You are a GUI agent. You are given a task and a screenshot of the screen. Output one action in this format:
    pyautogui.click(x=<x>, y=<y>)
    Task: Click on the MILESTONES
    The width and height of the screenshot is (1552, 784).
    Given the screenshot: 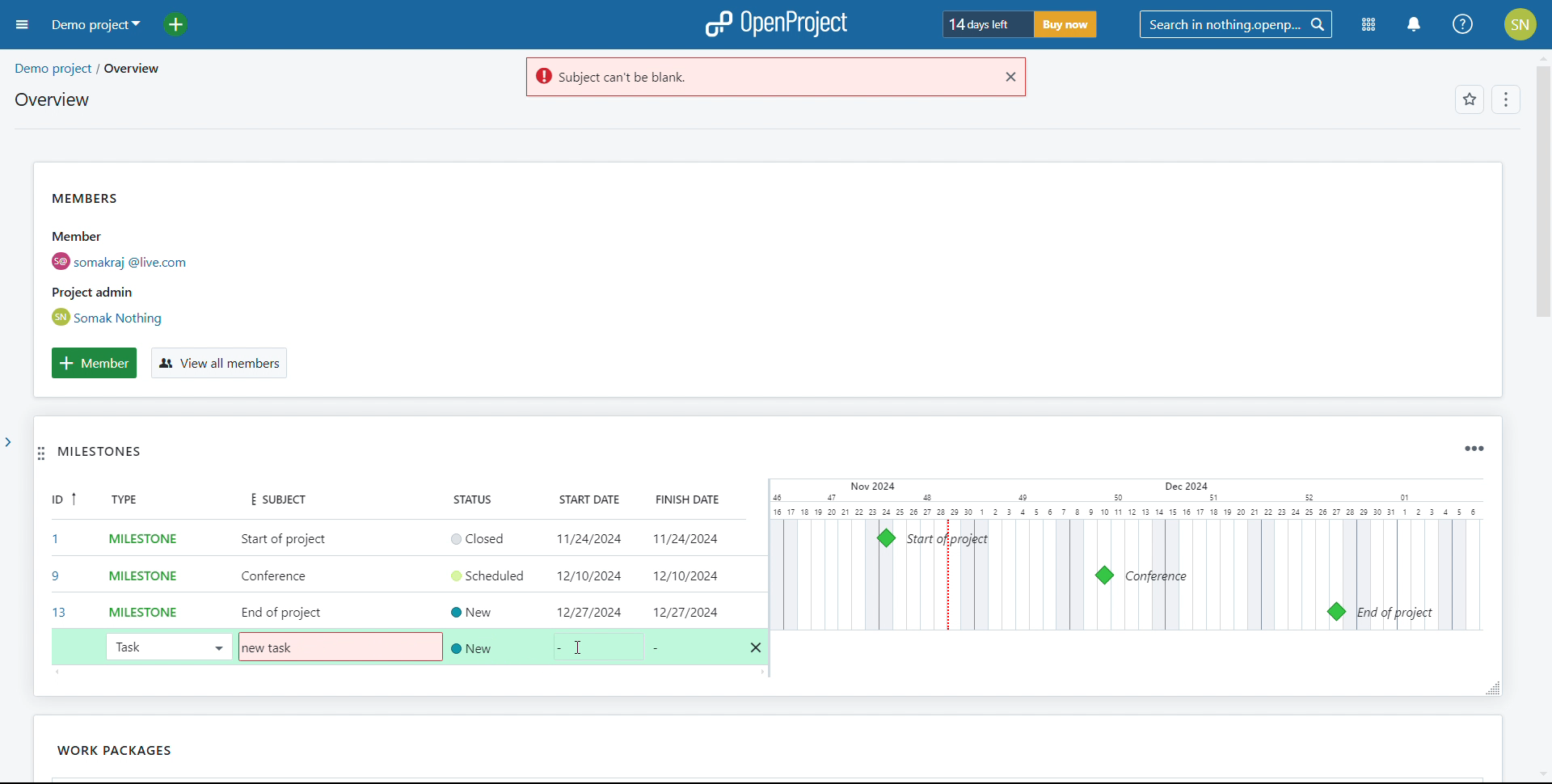 What is the action you would take?
    pyautogui.click(x=120, y=456)
    